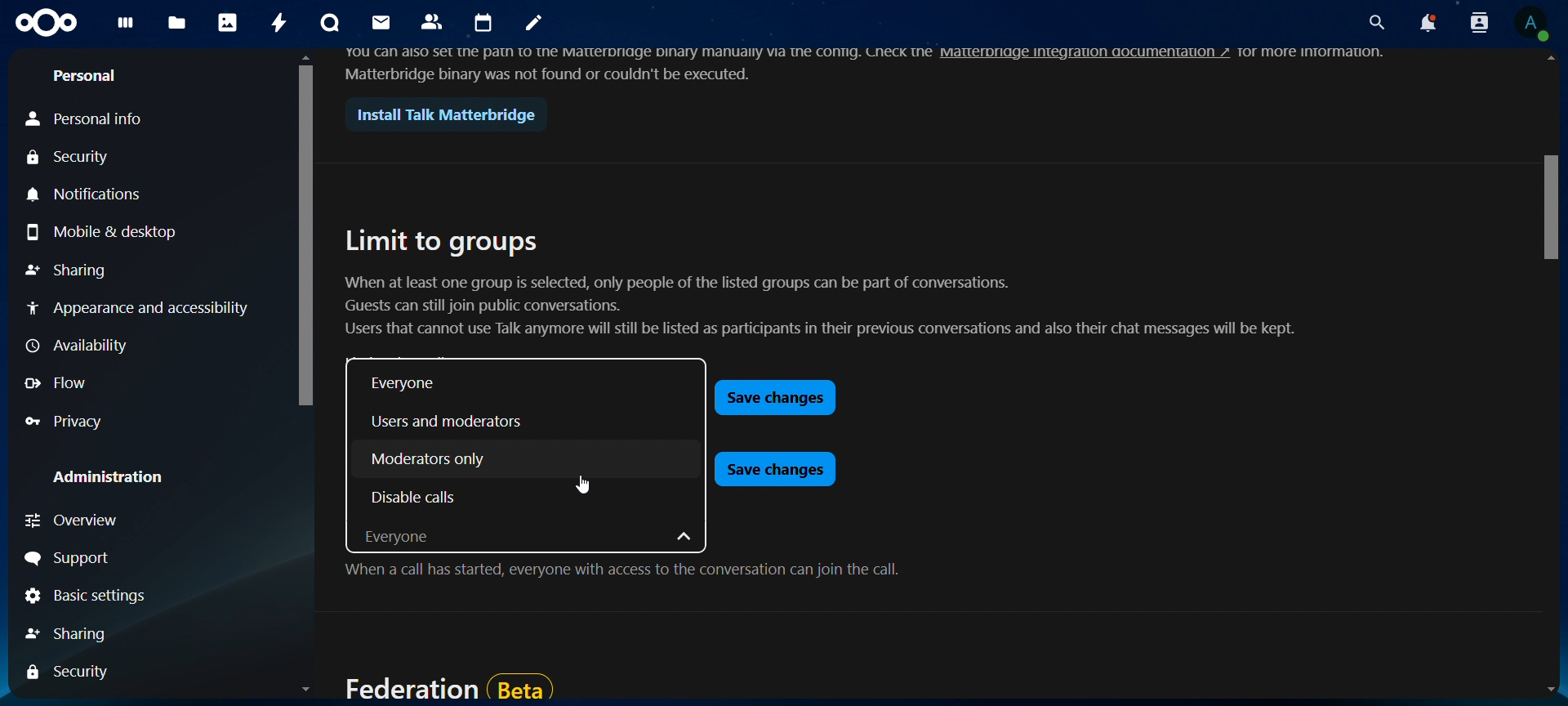 The image size is (1568, 706). What do you see at coordinates (774, 468) in the screenshot?
I see `save changes` at bounding box center [774, 468].